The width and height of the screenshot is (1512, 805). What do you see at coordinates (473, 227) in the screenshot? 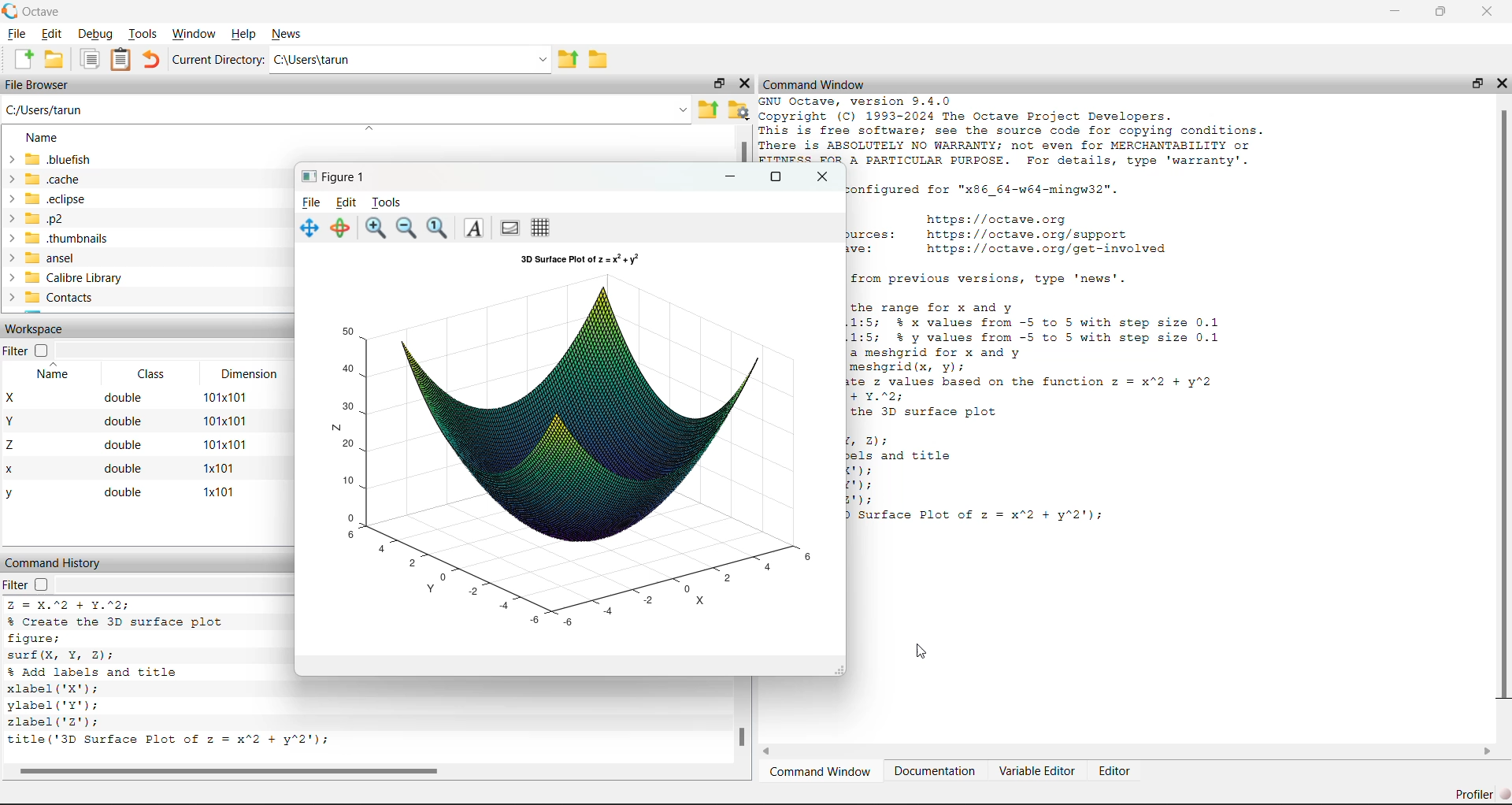
I see `Font` at bounding box center [473, 227].